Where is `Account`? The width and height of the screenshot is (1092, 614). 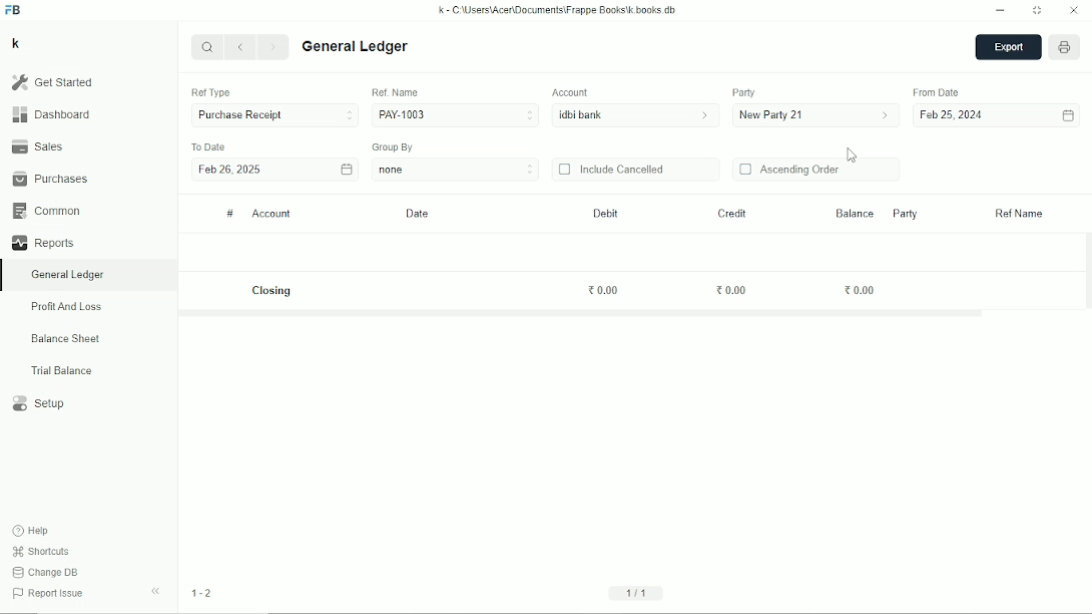
Account is located at coordinates (272, 214).